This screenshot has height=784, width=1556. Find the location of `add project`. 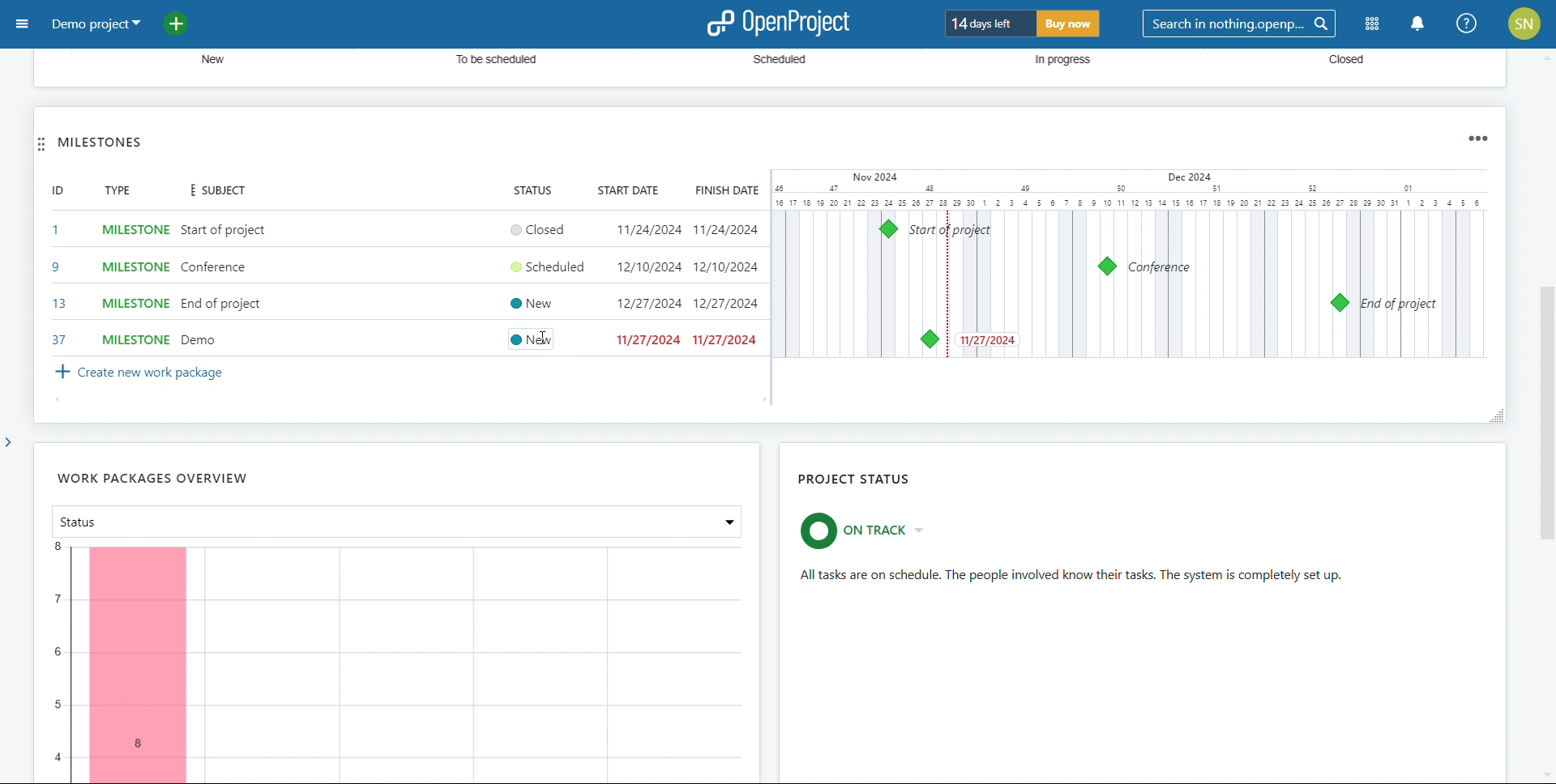

add project is located at coordinates (186, 23).